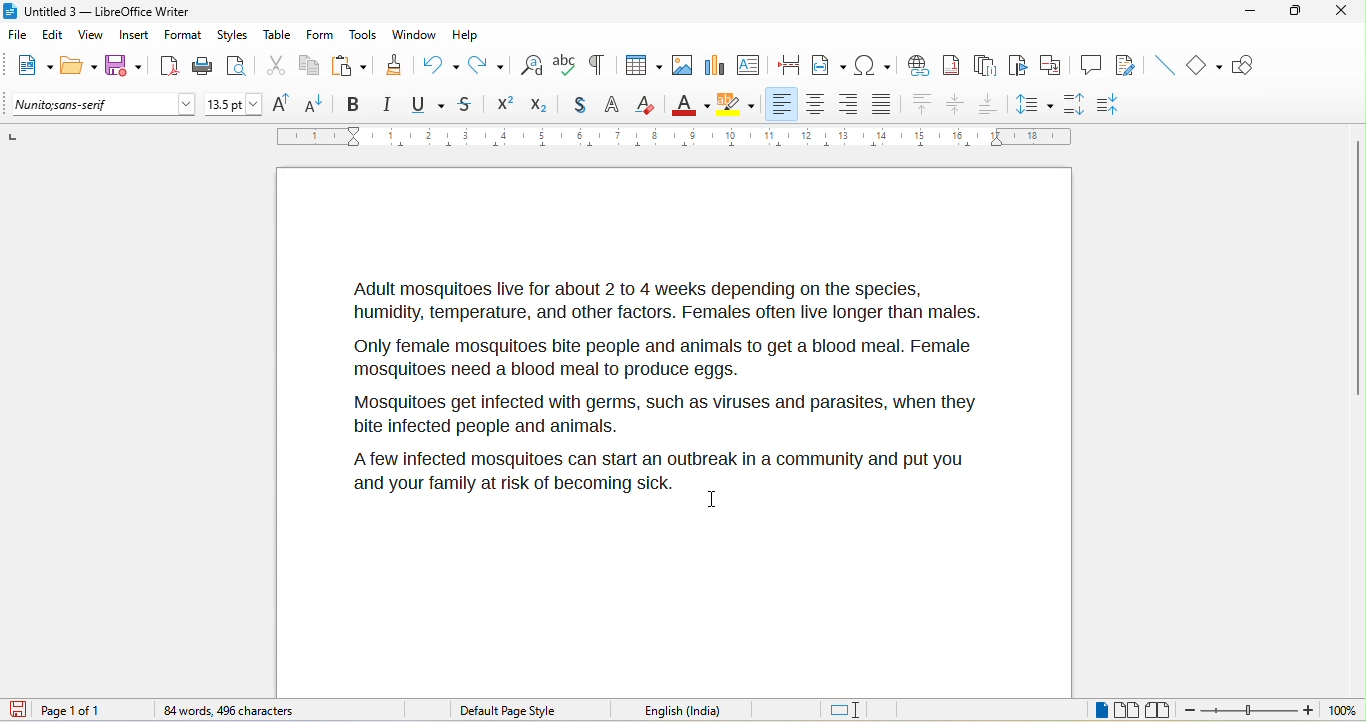 The height and width of the screenshot is (722, 1366). Describe the element at coordinates (710, 710) in the screenshot. I see `text language` at that location.